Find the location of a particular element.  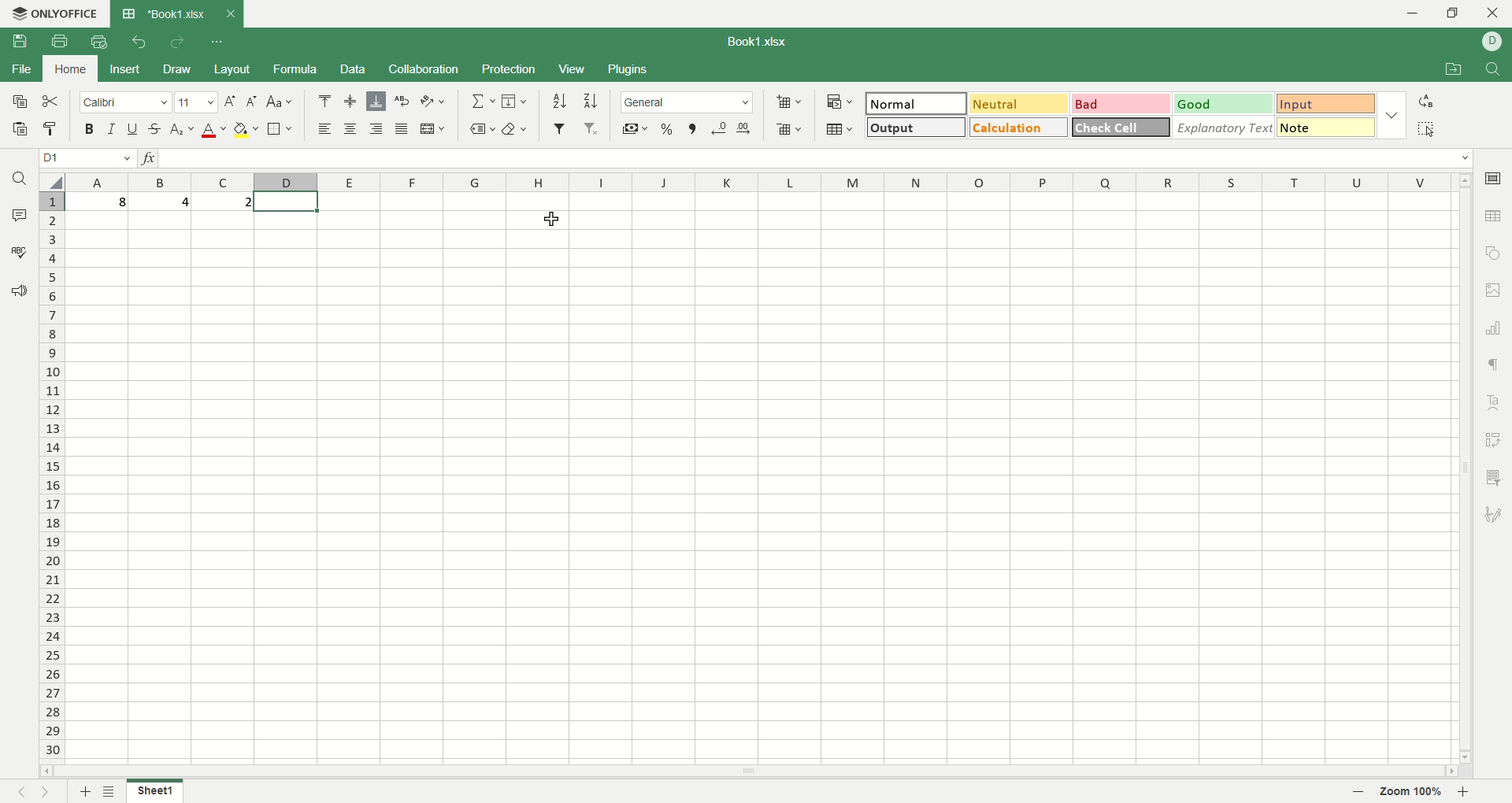

filter is located at coordinates (560, 128).